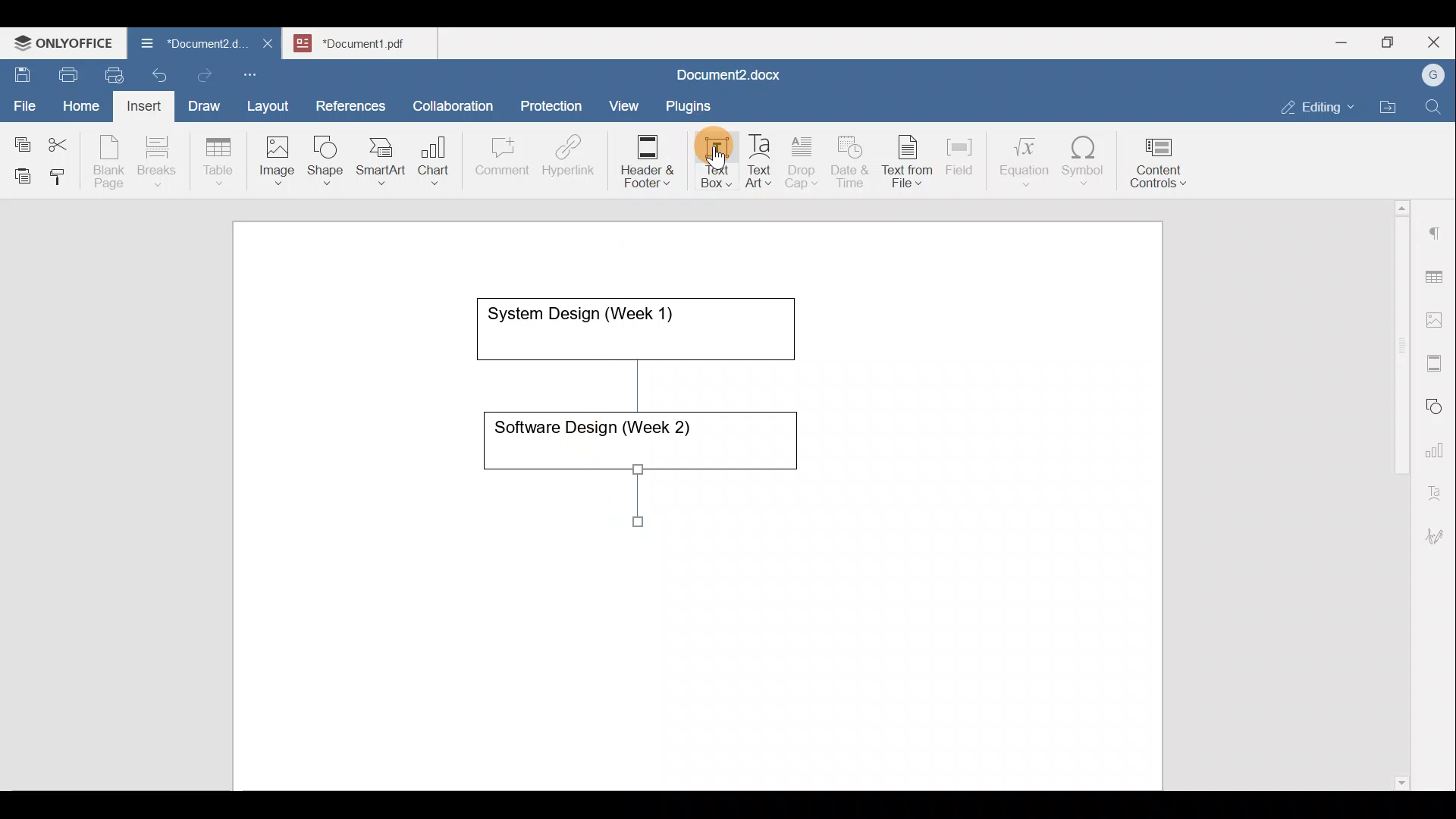 This screenshot has width=1456, height=819. What do you see at coordinates (1436, 43) in the screenshot?
I see `Close` at bounding box center [1436, 43].